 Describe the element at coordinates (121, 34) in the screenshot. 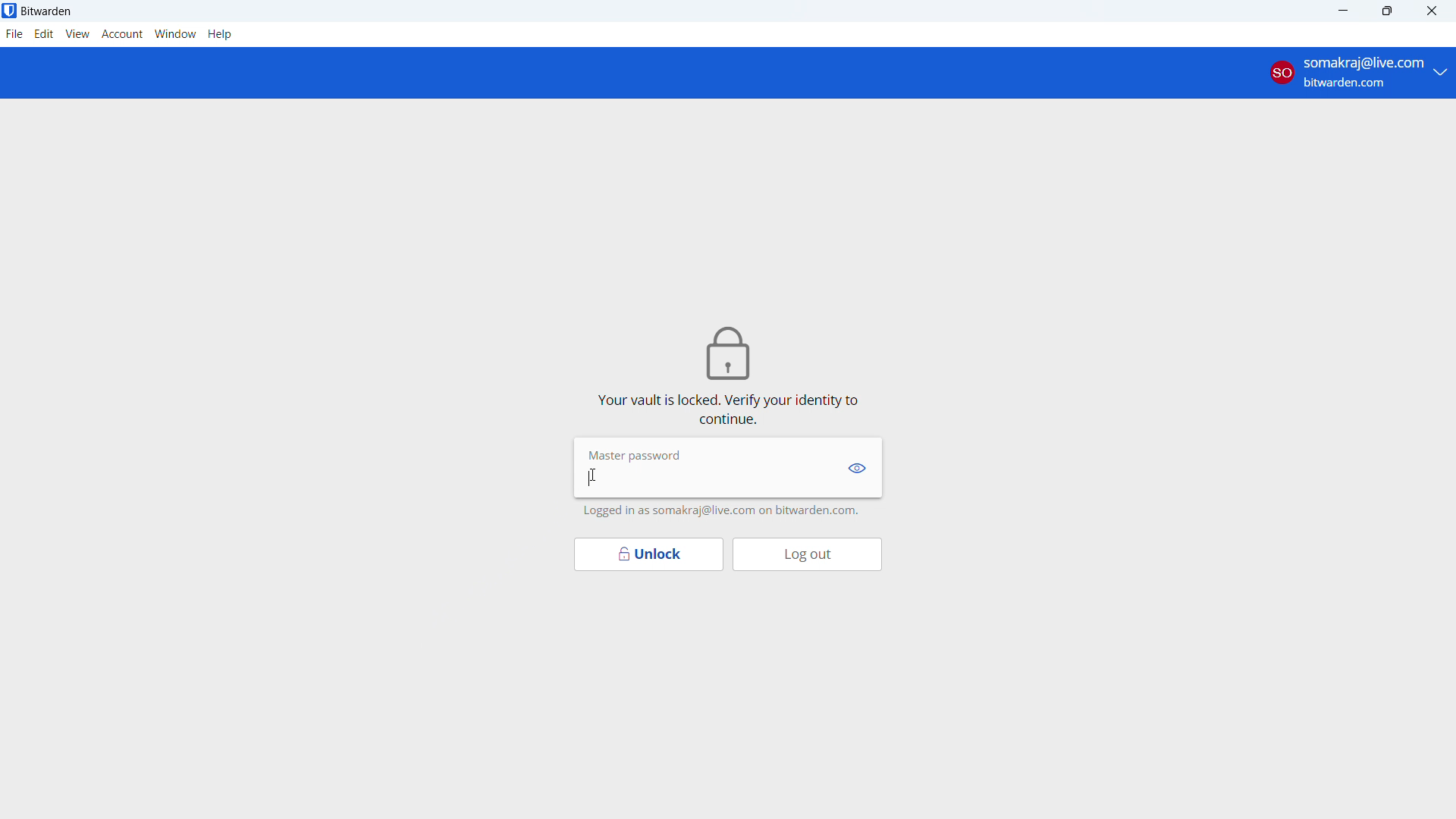

I see `account` at that location.